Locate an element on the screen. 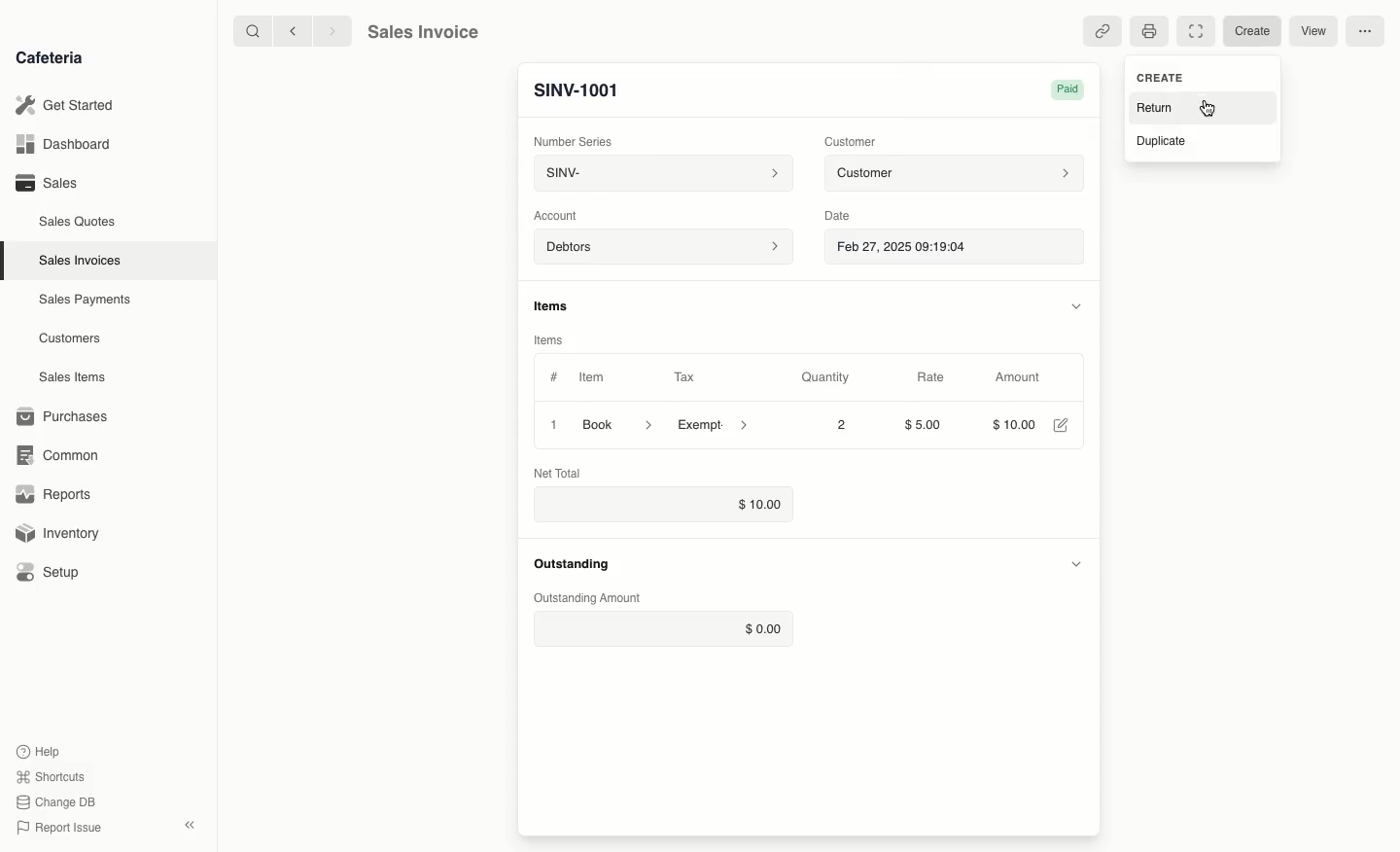 The width and height of the screenshot is (1400, 852). Tax is located at coordinates (684, 377).